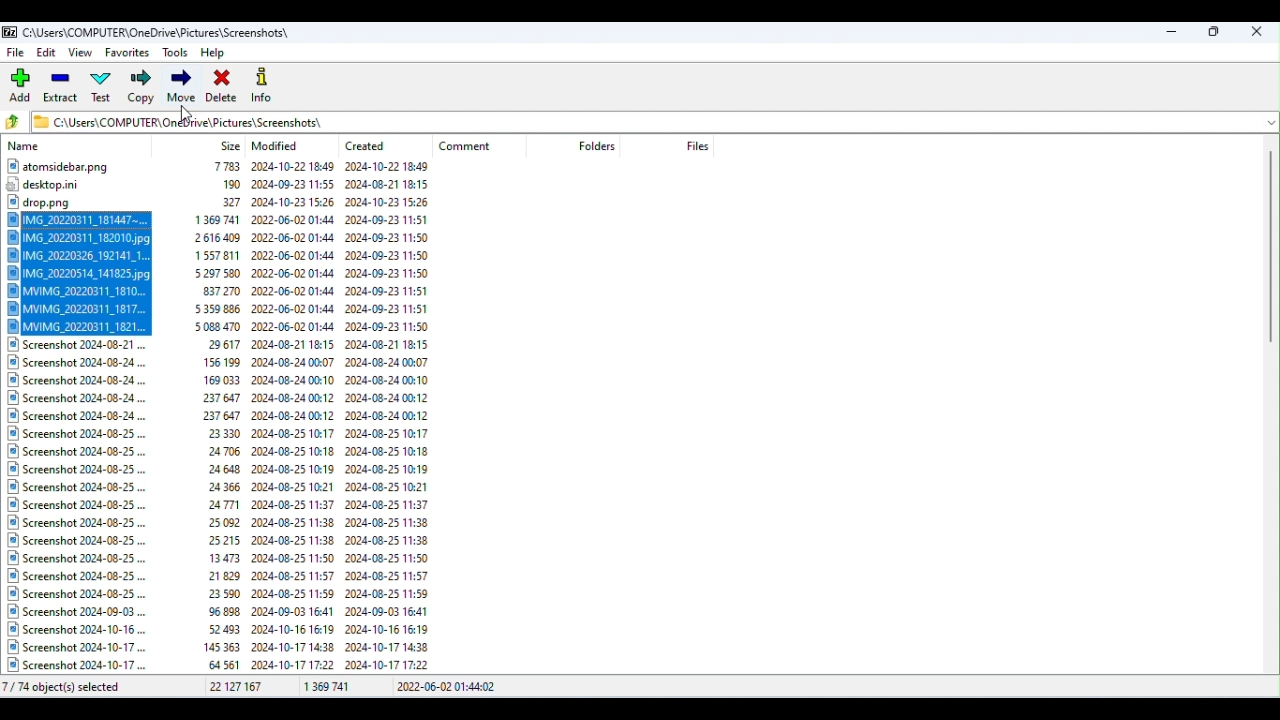 Image resolution: width=1280 pixels, height=720 pixels. Describe the element at coordinates (474, 146) in the screenshot. I see `Comment` at that location.